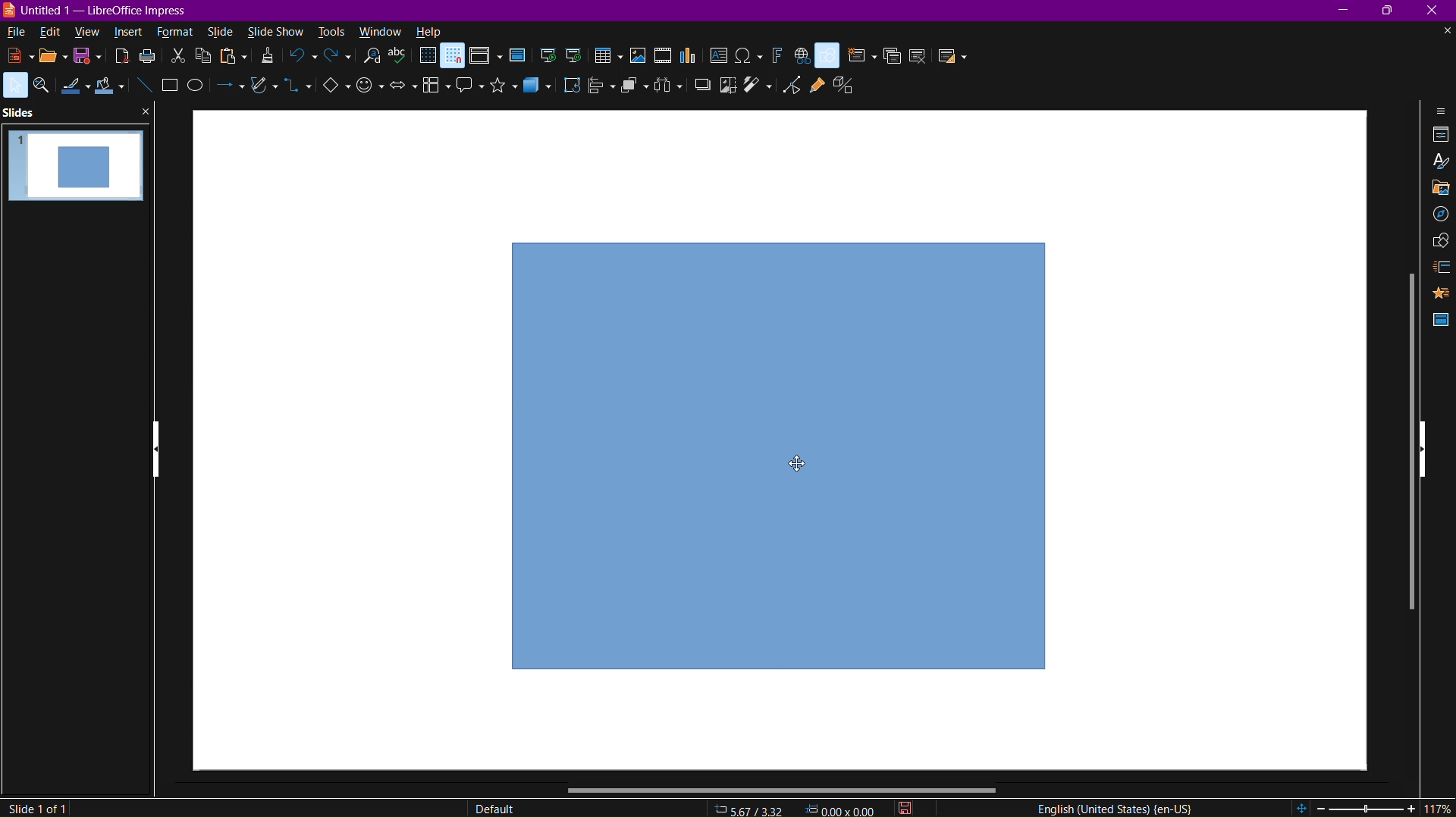 The height and width of the screenshot is (817, 1456). Describe the element at coordinates (431, 89) in the screenshot. I see `Flowchart` at that location.